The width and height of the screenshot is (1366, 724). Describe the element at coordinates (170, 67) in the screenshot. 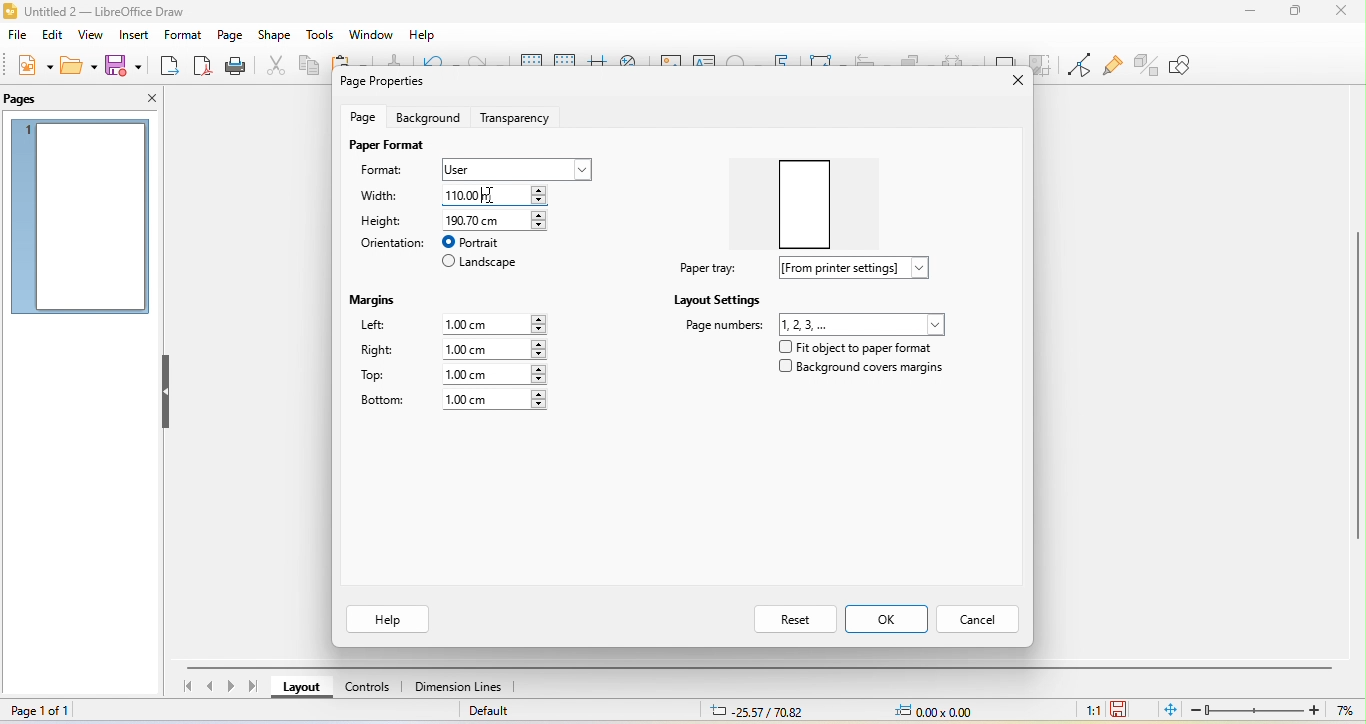

I see `export` at that location.